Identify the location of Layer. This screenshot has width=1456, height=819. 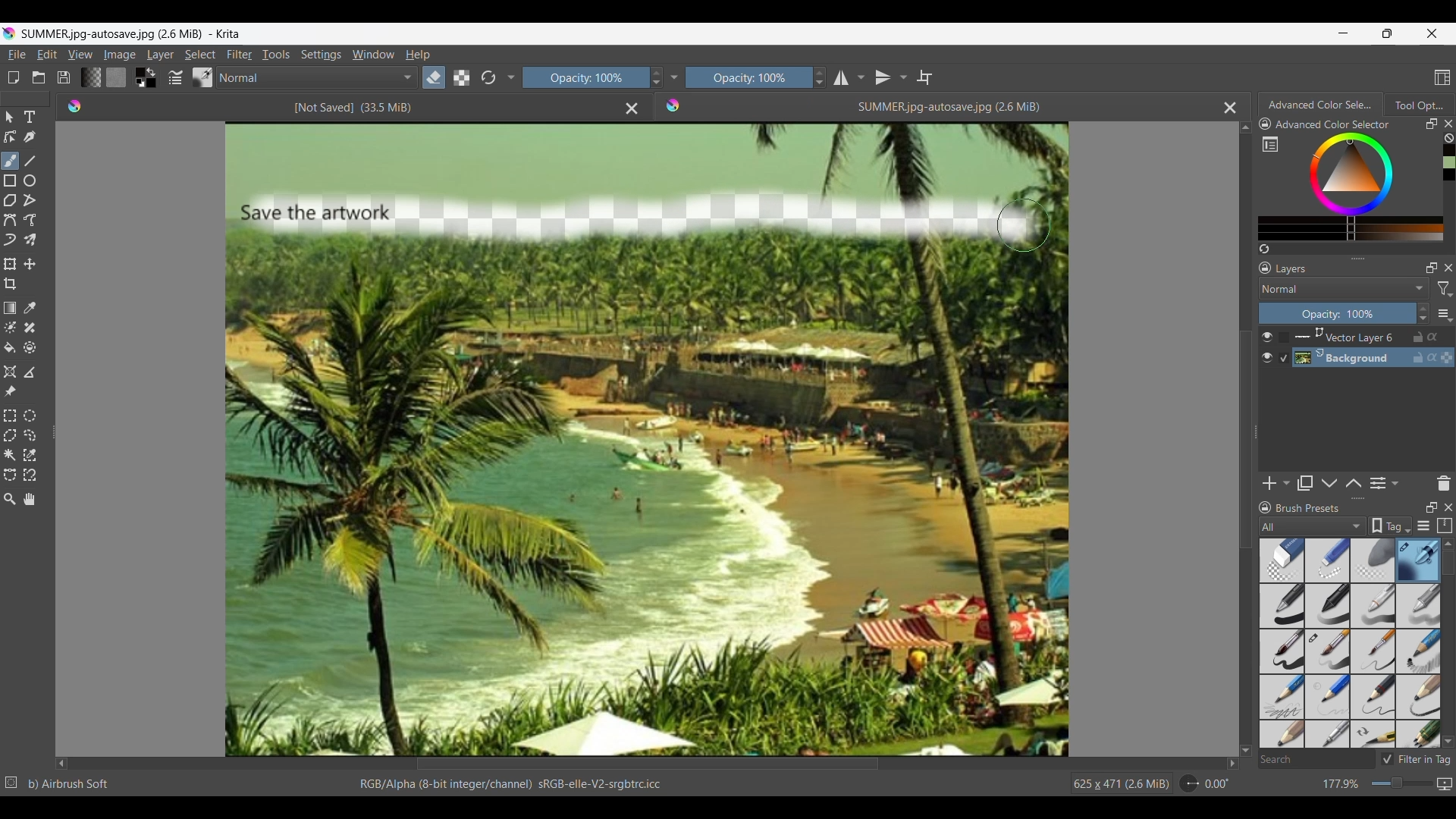
(161, 55).